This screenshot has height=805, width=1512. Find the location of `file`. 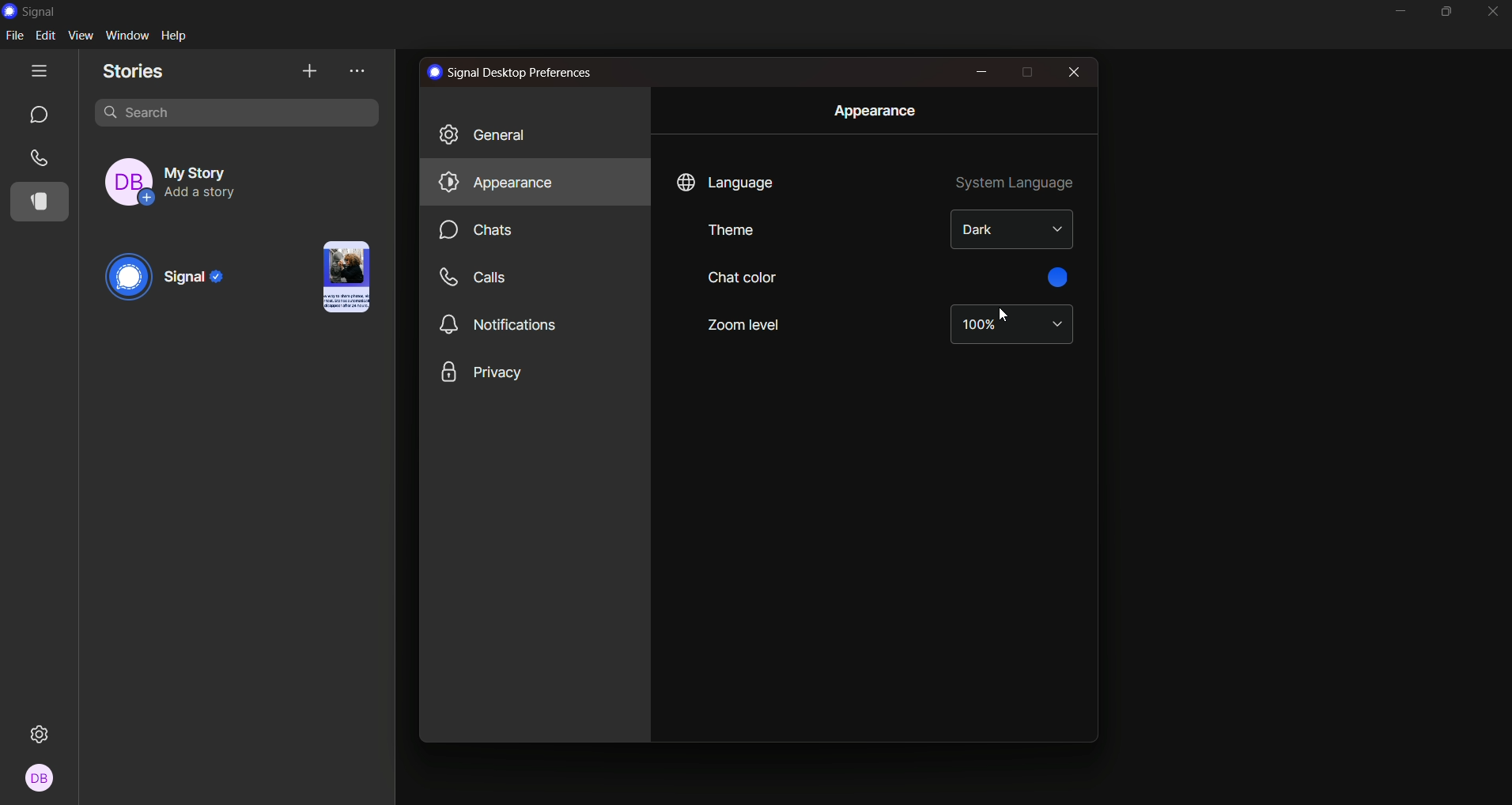

file is located at coordinates (17, 36).